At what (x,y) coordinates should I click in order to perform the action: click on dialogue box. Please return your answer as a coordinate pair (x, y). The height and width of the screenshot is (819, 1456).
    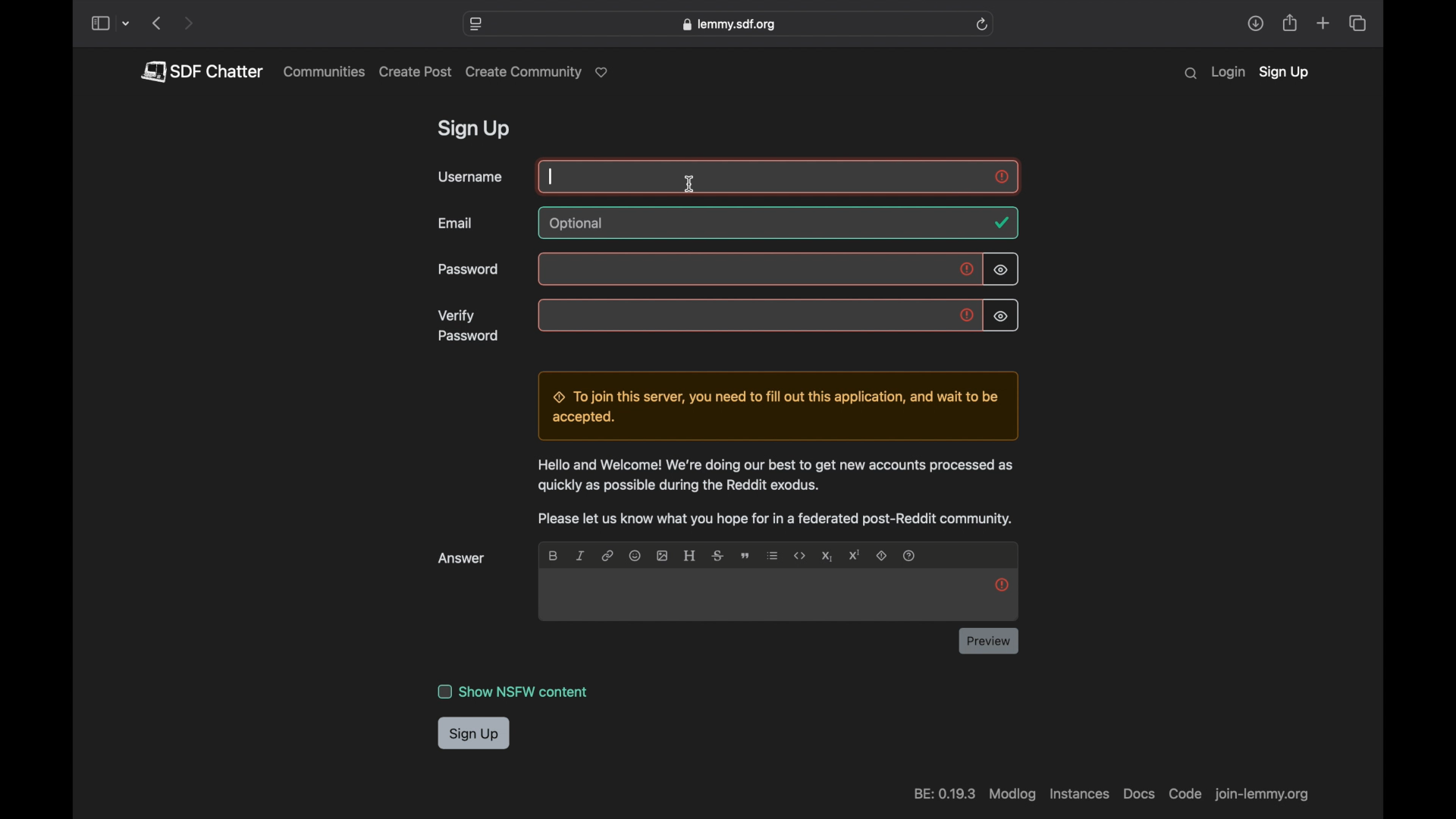
    Looking at the image, I should click on (774, 406).